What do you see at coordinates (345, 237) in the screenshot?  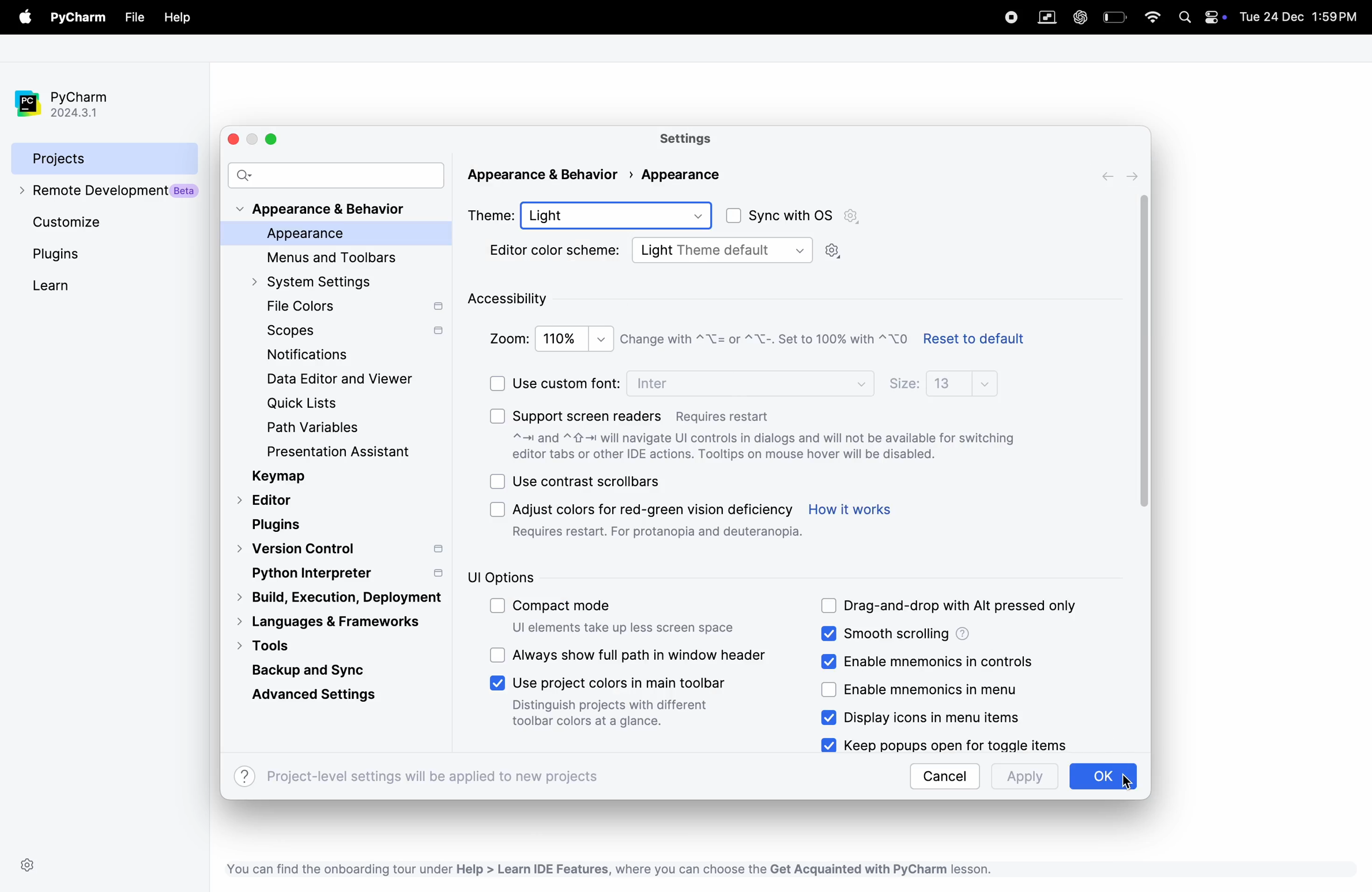 I see `appearance ` at bounding box center [345, 237].